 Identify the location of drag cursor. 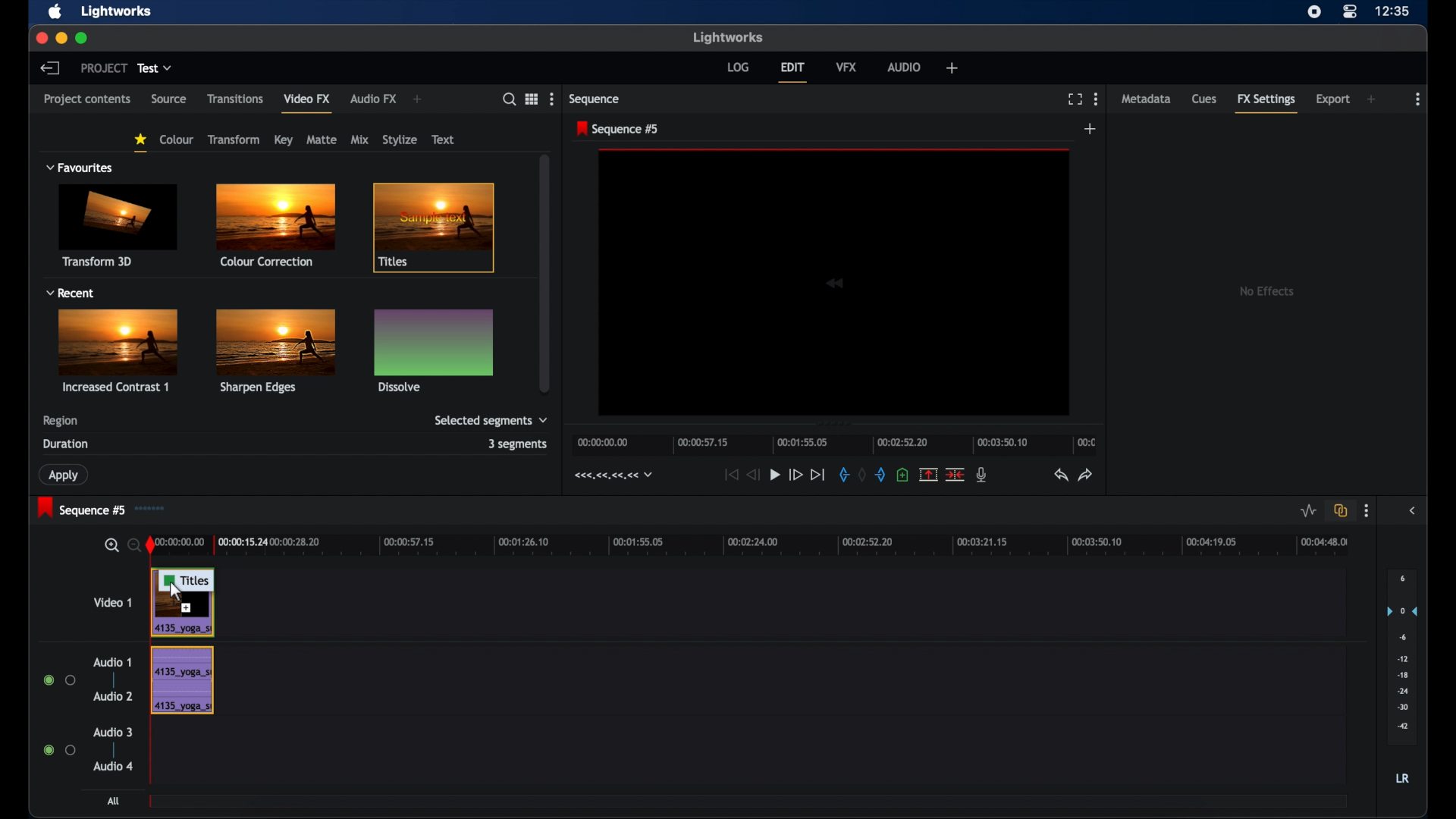
(187, 580).